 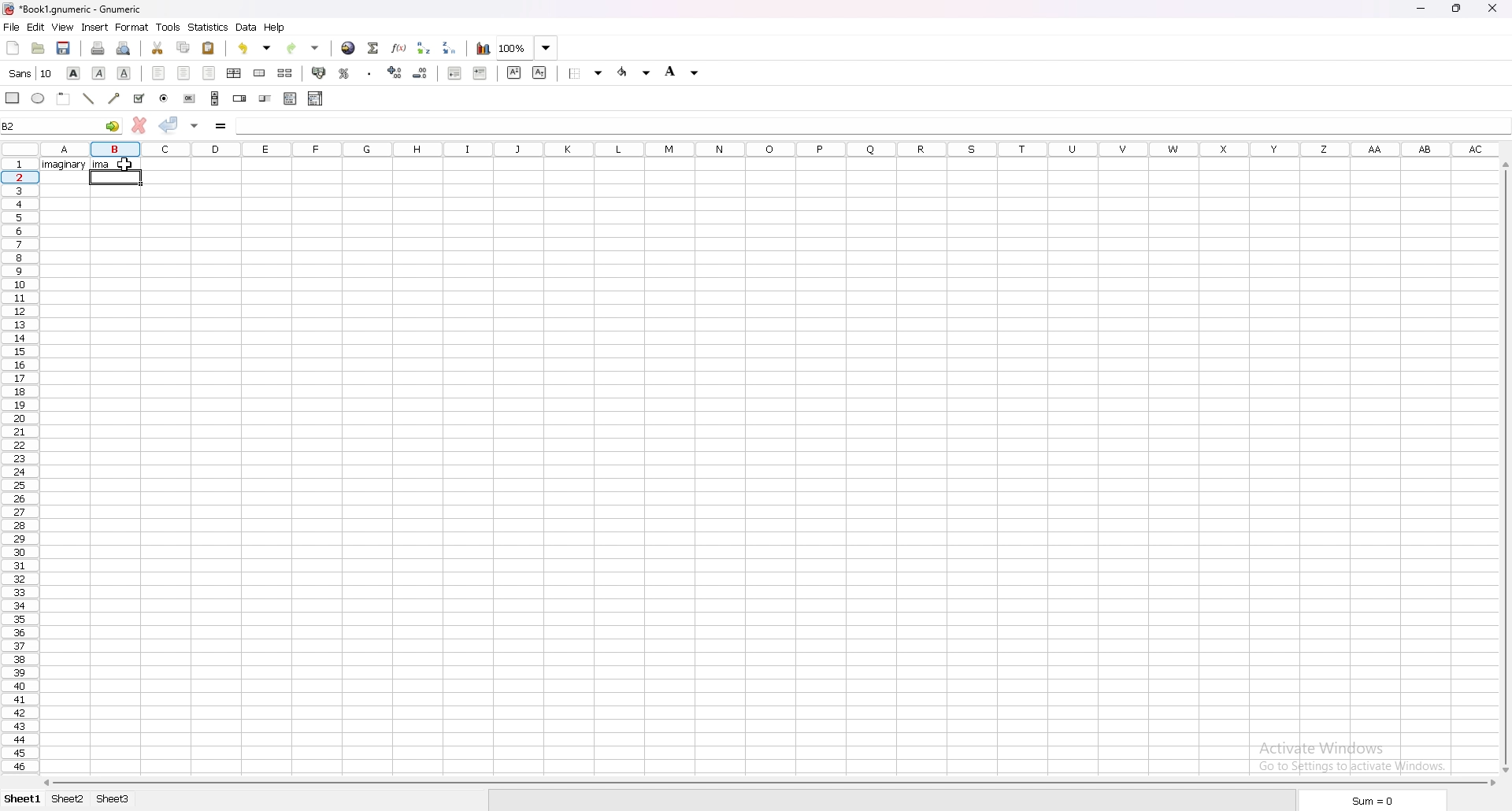 What do you see at coordinates (124, 73) in the screenshot?
I see `underline` at bounding box center [124, 73].